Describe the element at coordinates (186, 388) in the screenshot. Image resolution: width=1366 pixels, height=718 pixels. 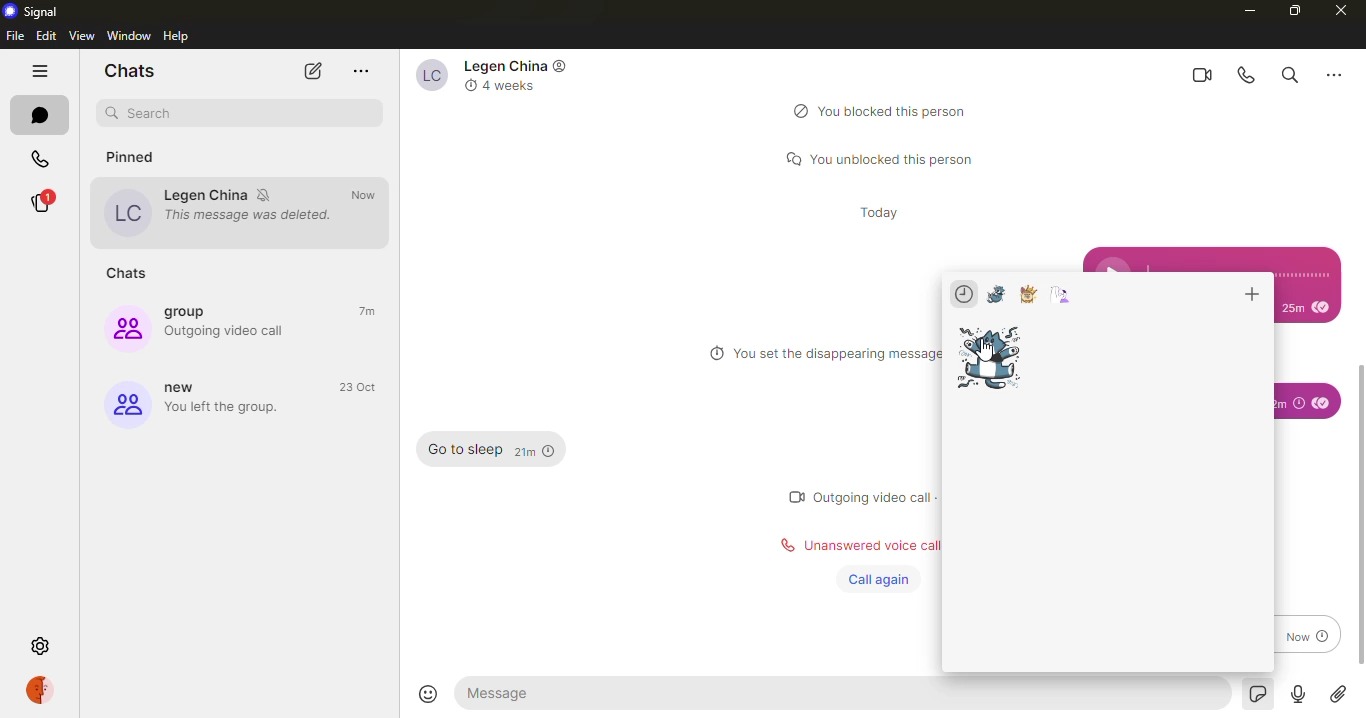
I see `new` at that location.